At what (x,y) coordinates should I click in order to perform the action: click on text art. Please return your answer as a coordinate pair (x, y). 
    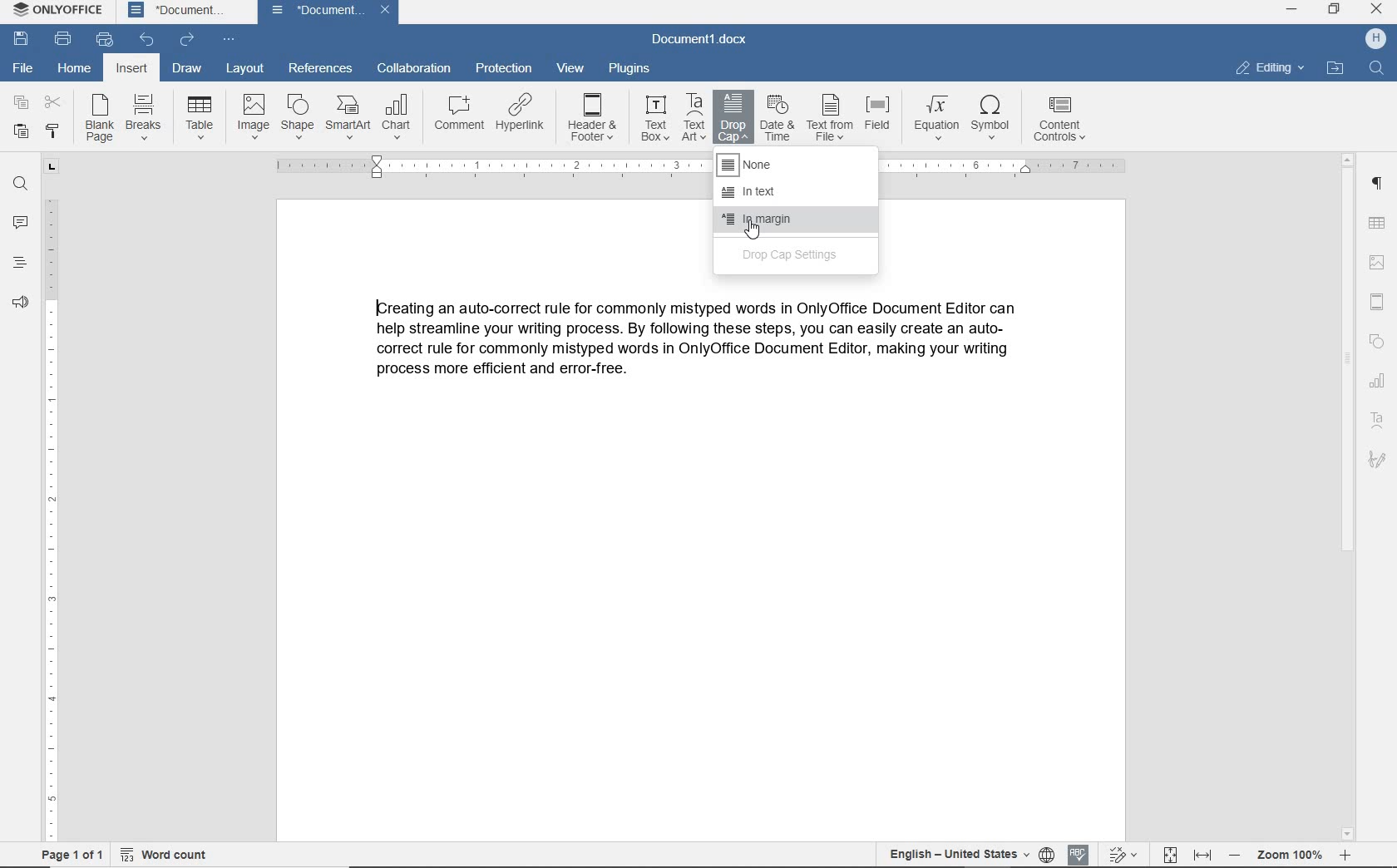
    Looking at the image, I should click on (693, 118).